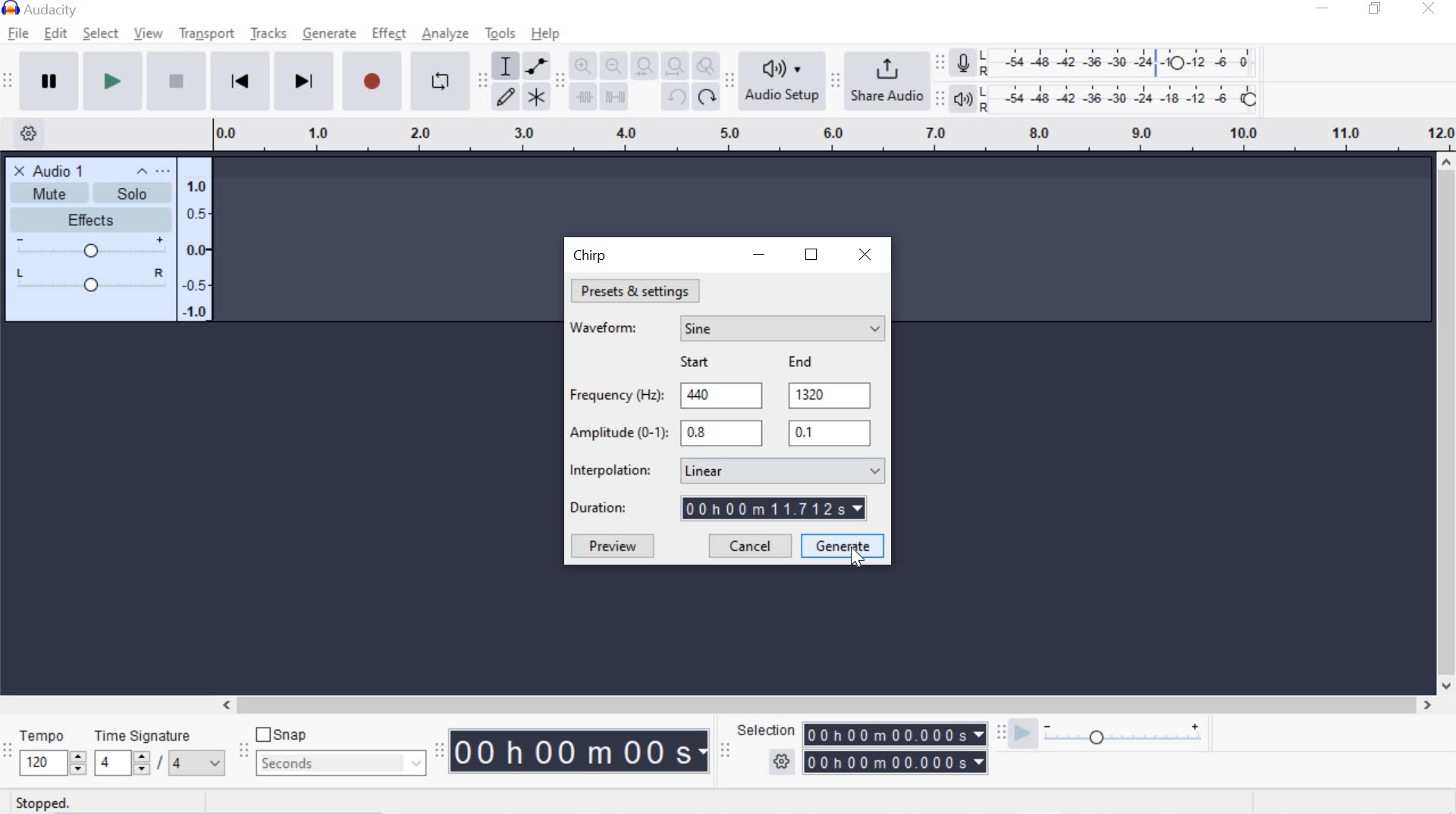 This screenshot has height=814, width=1456. I want to click on Playback level, so click(1123, 98).